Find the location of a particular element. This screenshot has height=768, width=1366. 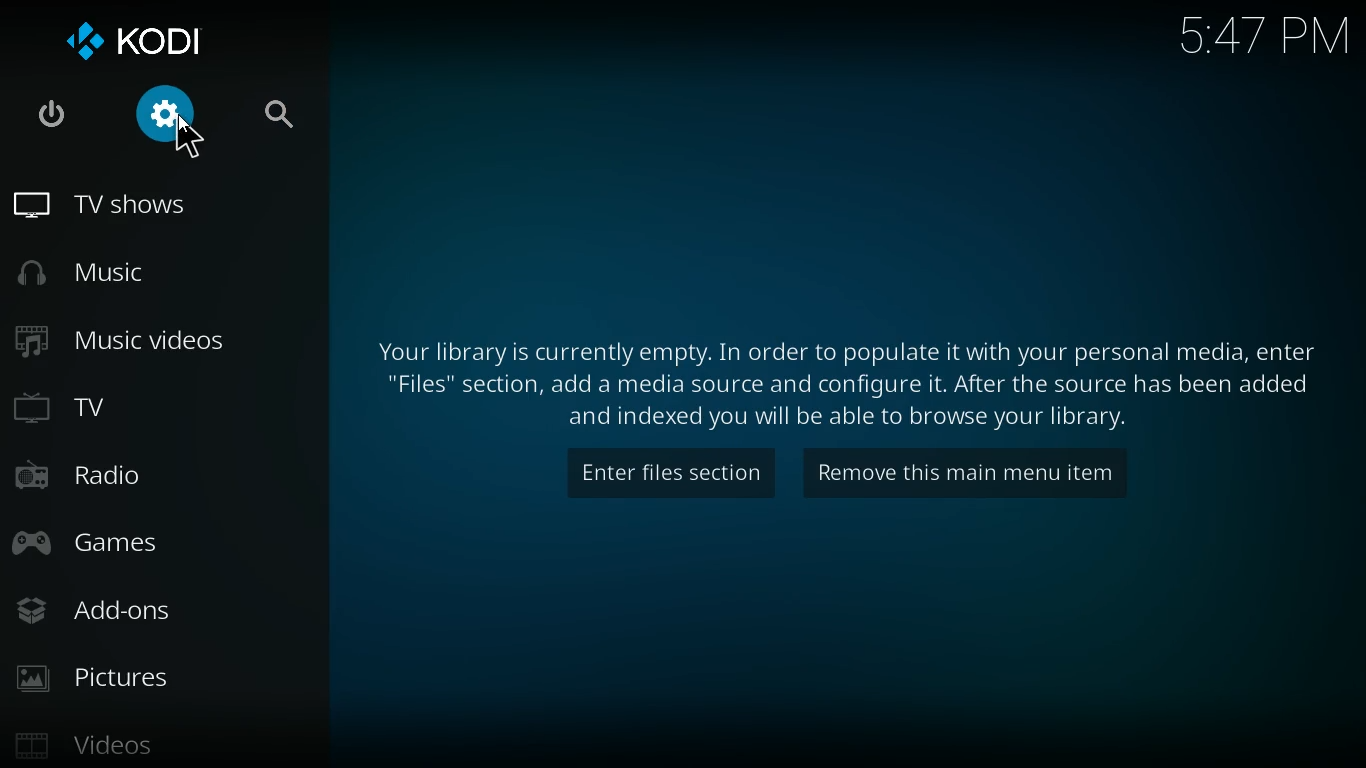

tv shows is located at coordinates (160, 208).